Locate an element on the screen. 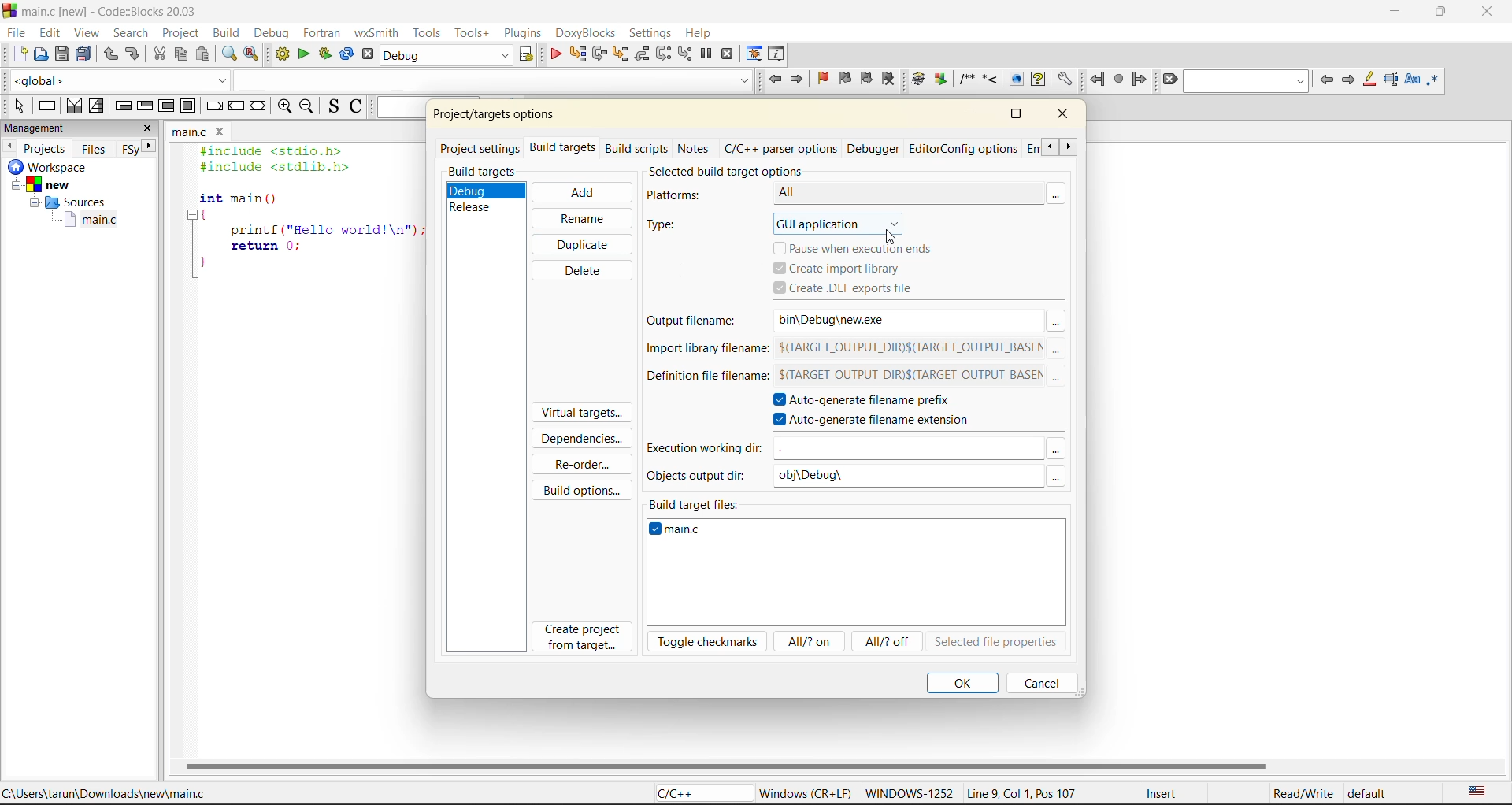  tools+ is located at coordinates (471, 32).